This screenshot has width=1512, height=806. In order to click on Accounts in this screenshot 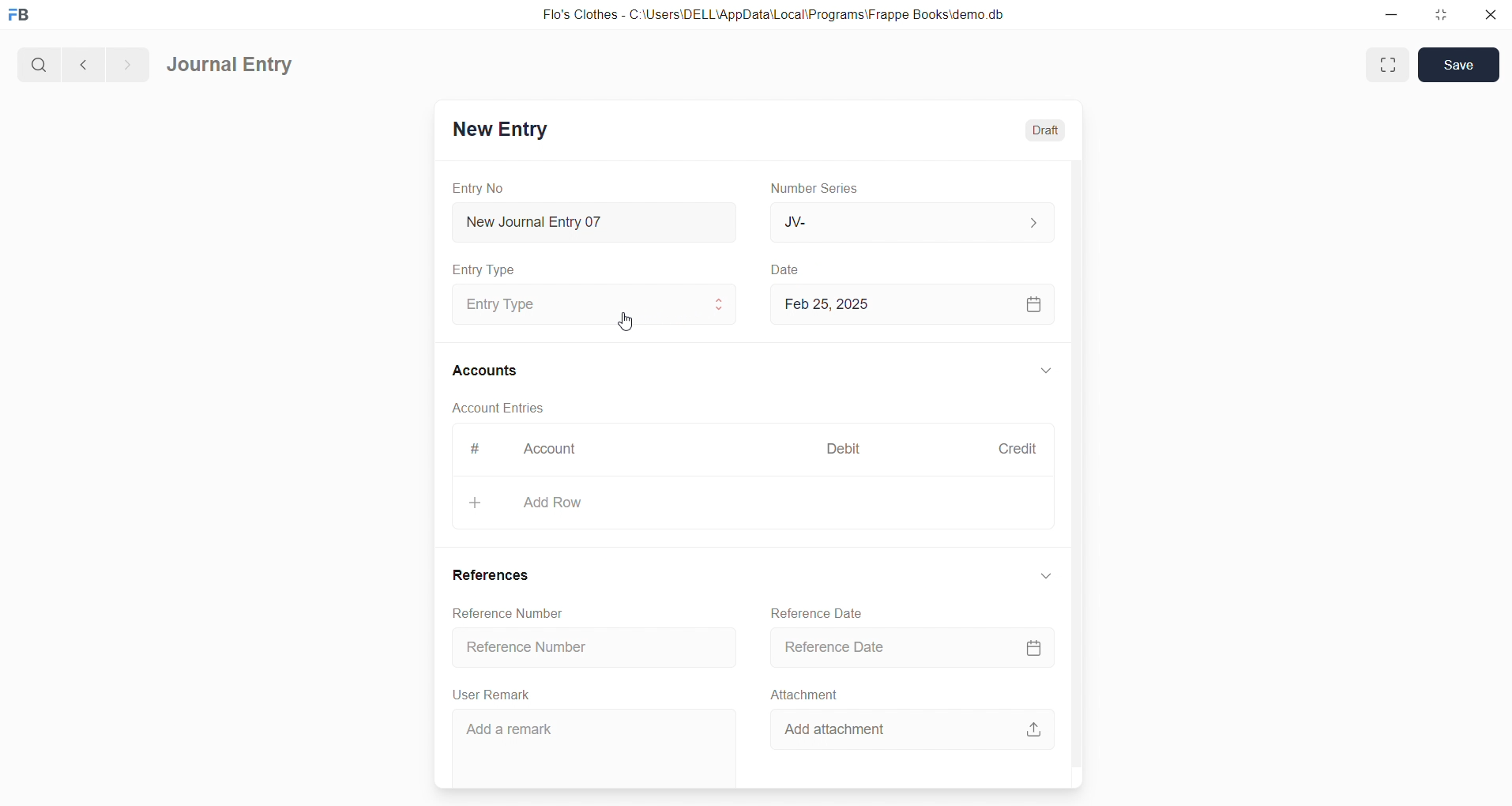, I will do `click(486, 372)`.